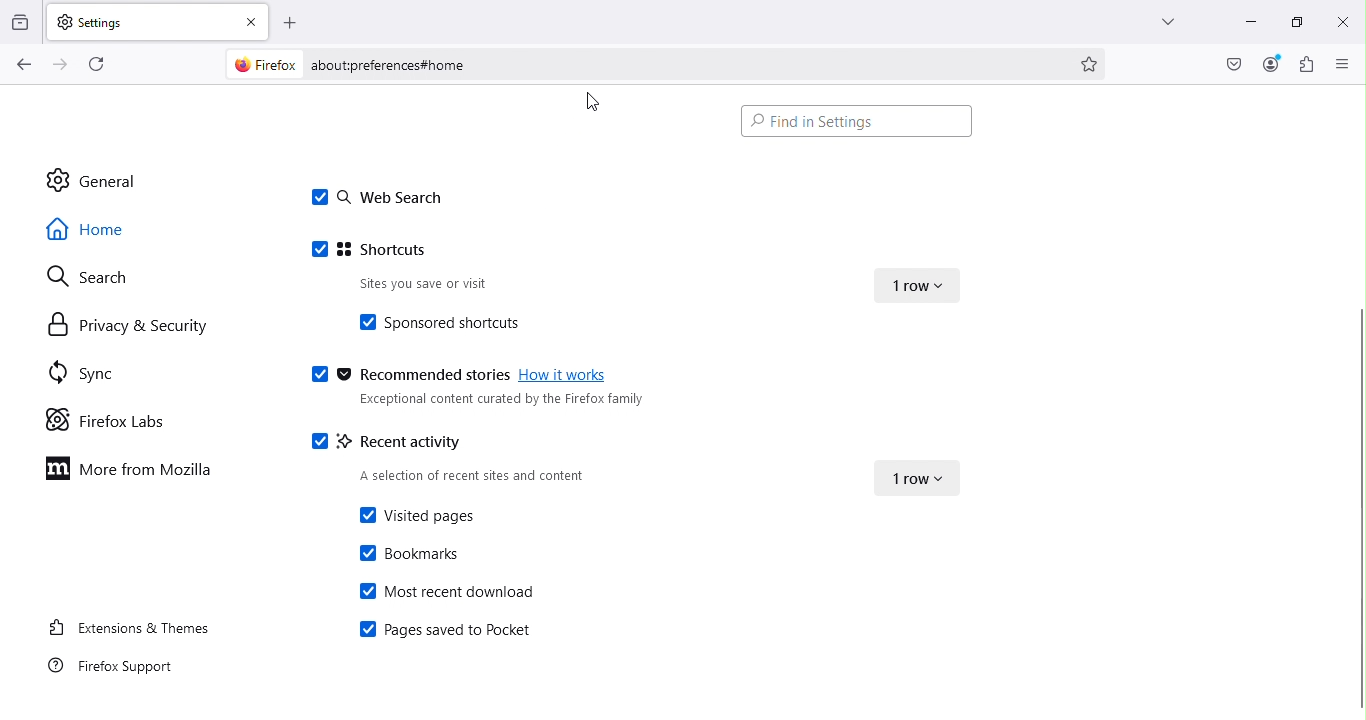  I want to click on Visited pages, so click(414, 515).